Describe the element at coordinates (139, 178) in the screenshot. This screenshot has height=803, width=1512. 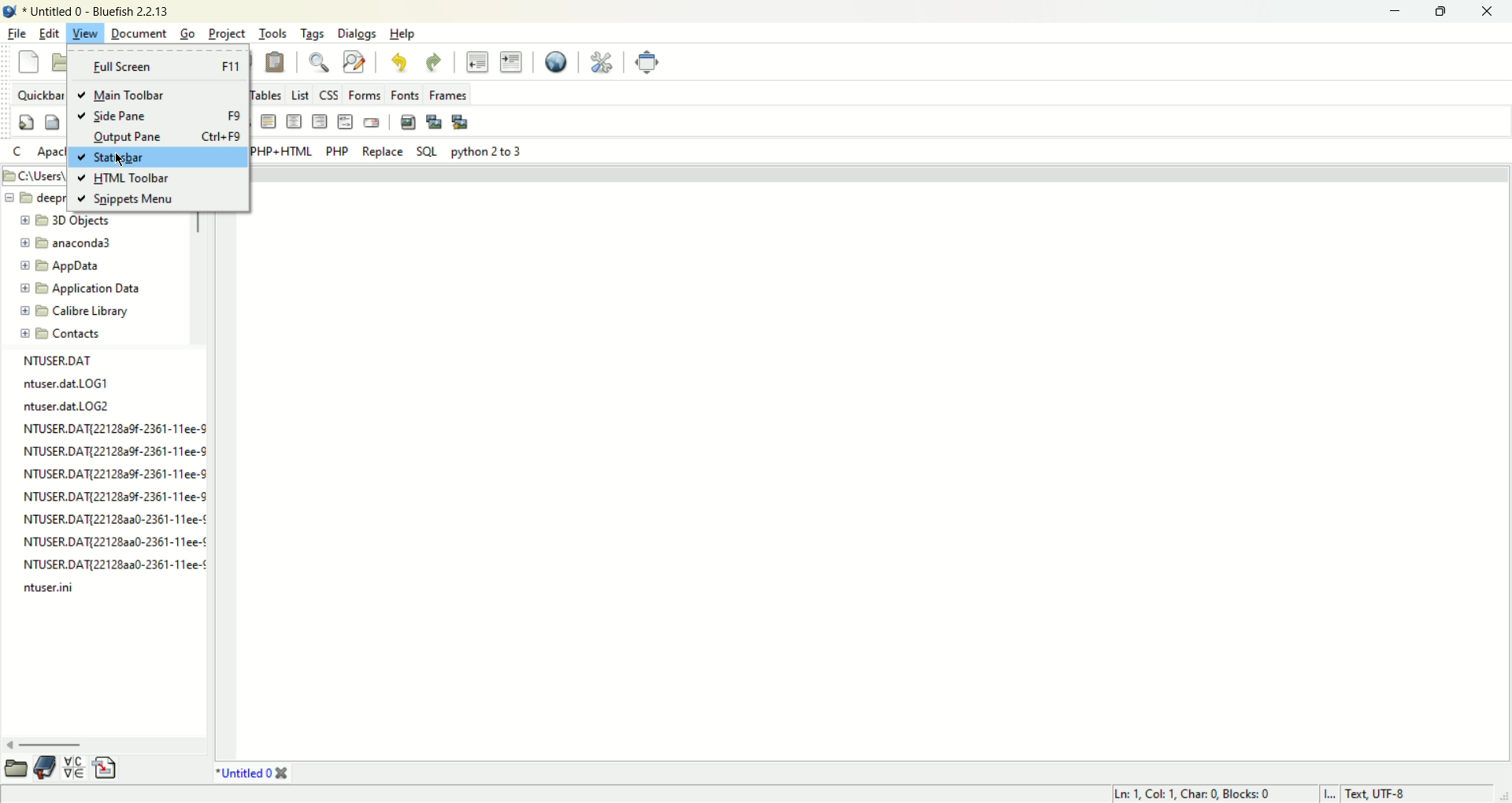
I see `HTML toolbar` at that location.